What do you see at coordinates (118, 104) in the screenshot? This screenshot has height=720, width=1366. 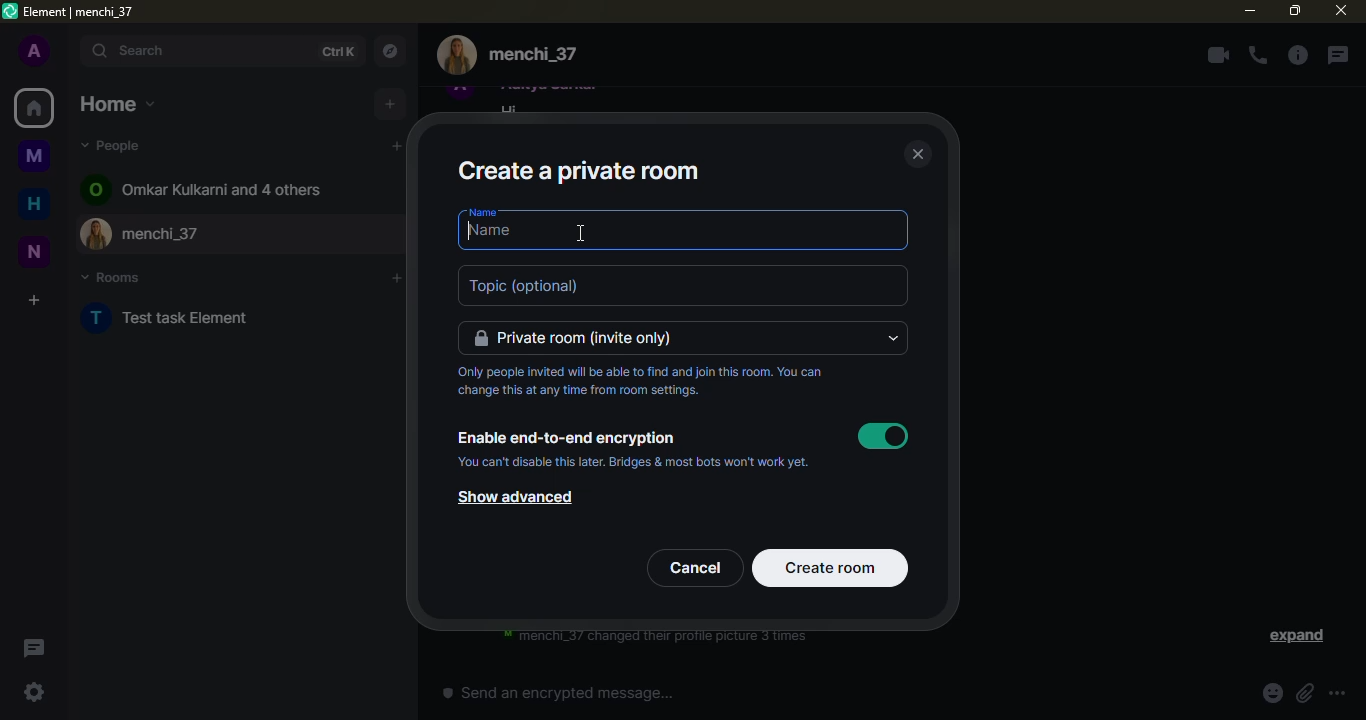 I see `home` at bounding box center [118, 104].